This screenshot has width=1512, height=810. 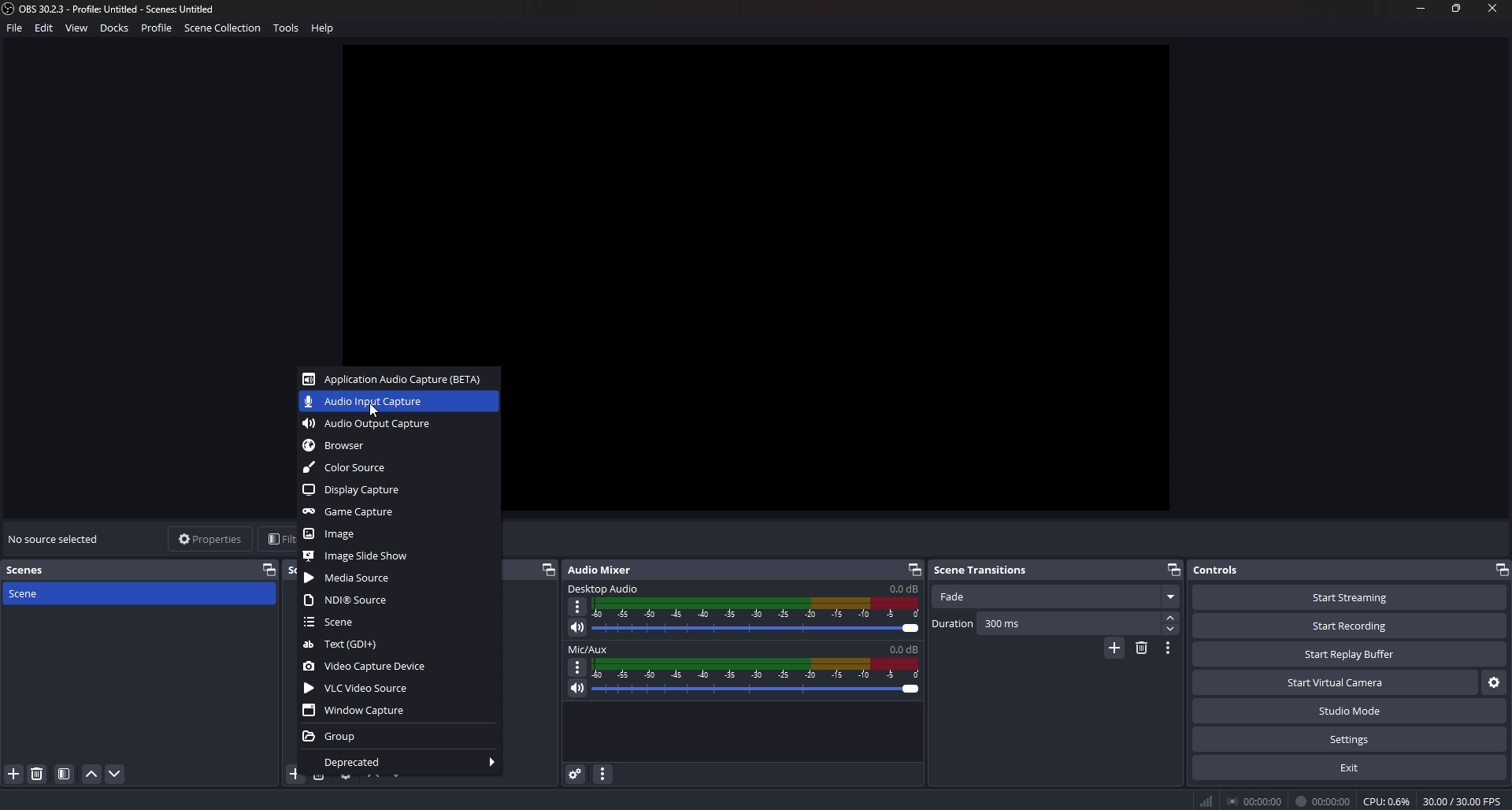 What do you see at coordinates (398, 512) in the screenshot?
I see `game capture` at bounding box center [398, 512].